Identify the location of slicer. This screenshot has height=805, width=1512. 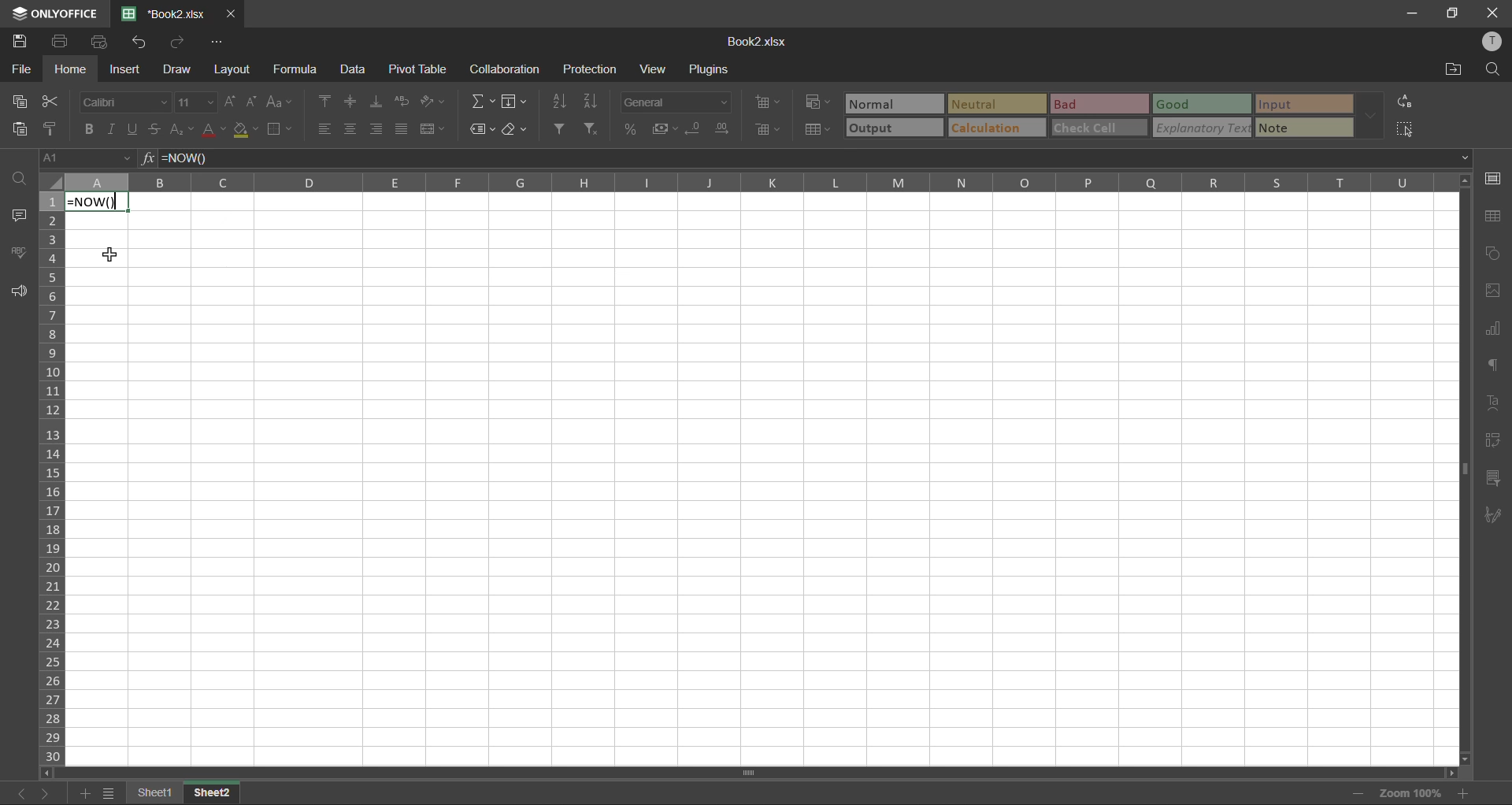
(1492, 478).